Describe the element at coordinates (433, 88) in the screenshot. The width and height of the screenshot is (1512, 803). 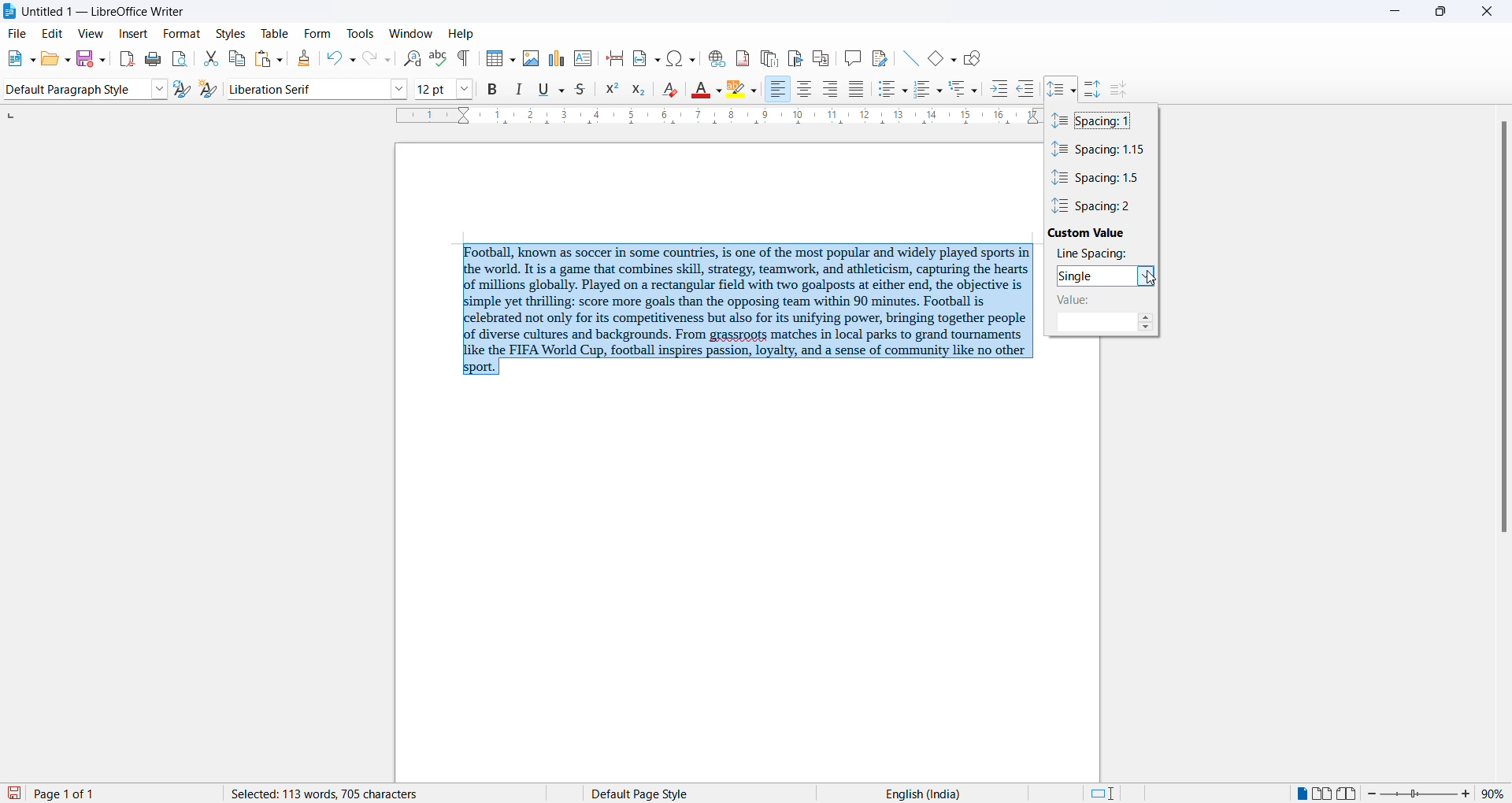
I see `font size` at that location.